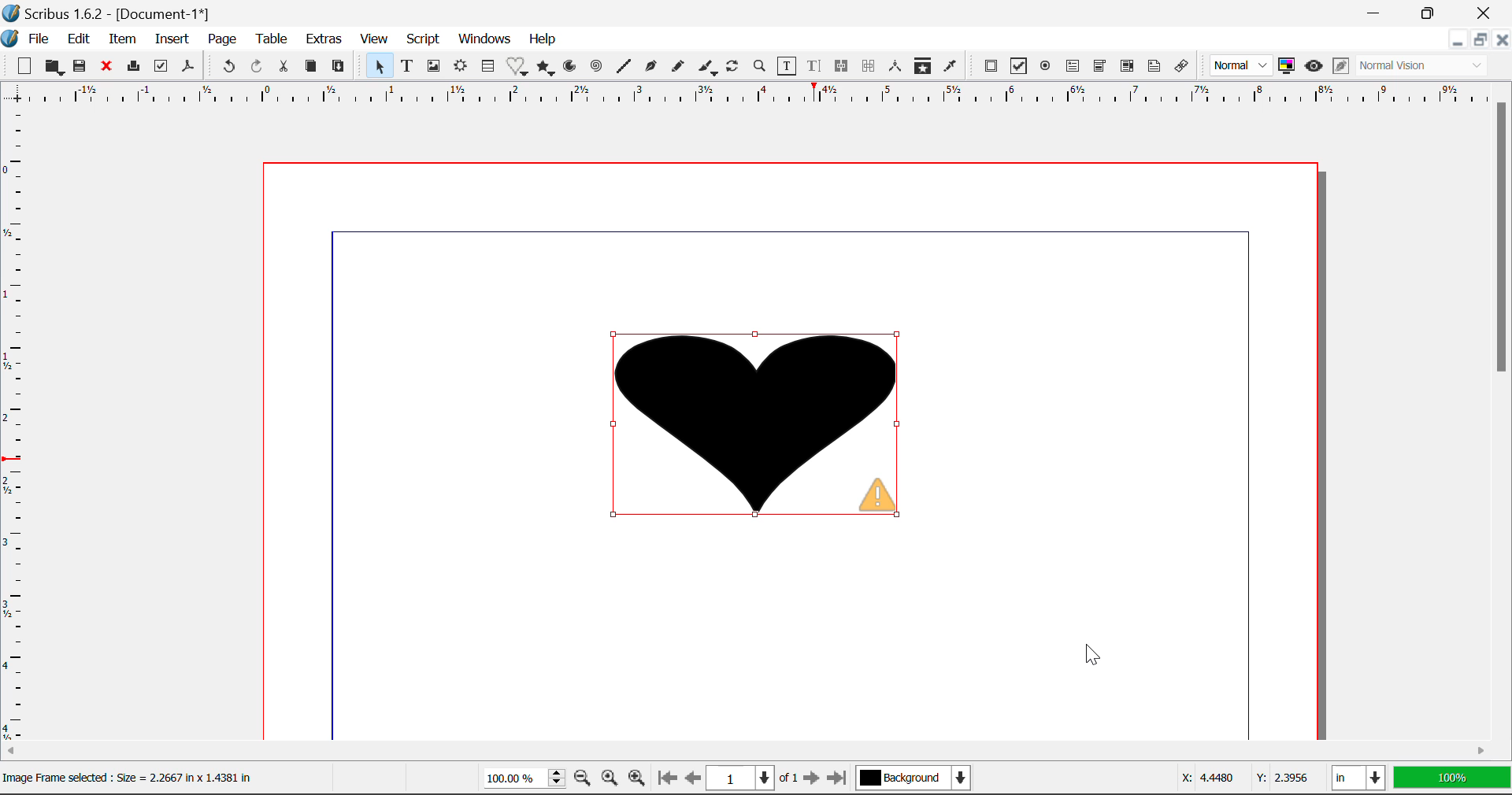 Image resolution: width=1512 pixels, height=795 pixels. Describe the element at coordinates (1503, 407) in the screenshot. I see `Scroll Bar` at that location.